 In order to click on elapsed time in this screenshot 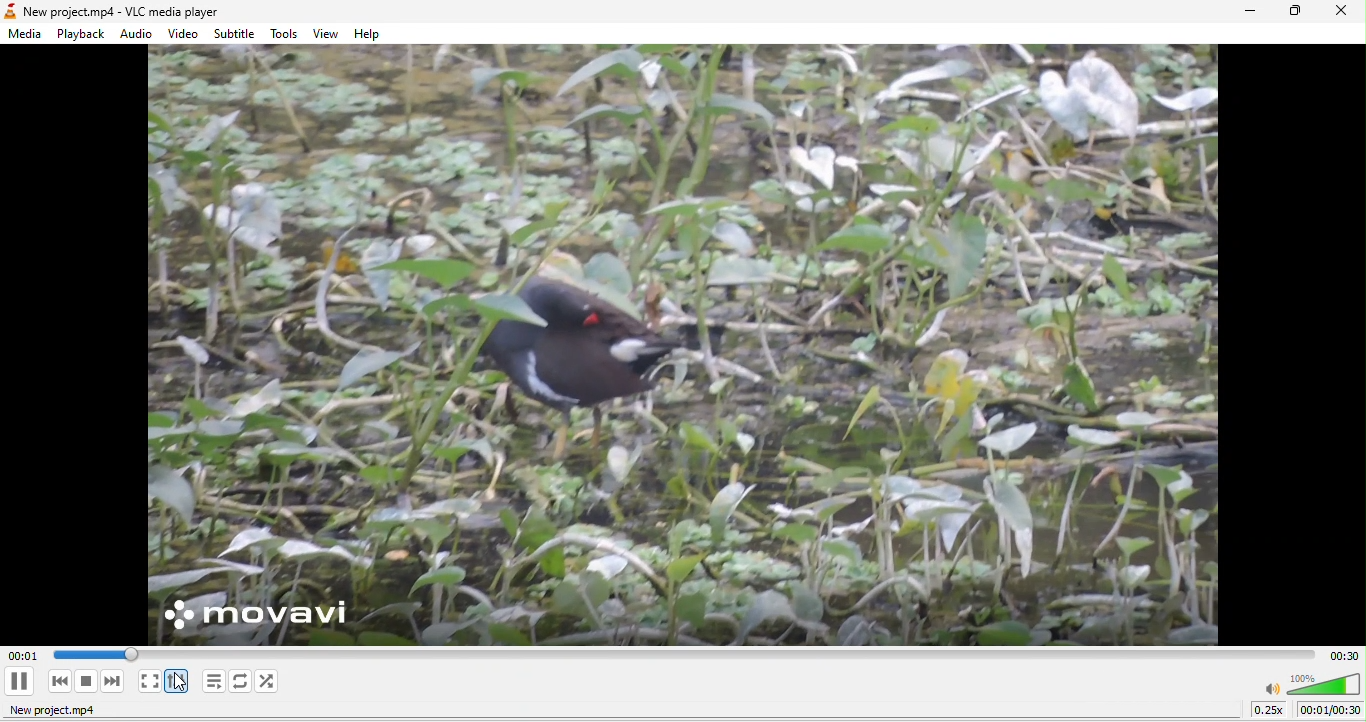, I will do `click(91, 654)`.